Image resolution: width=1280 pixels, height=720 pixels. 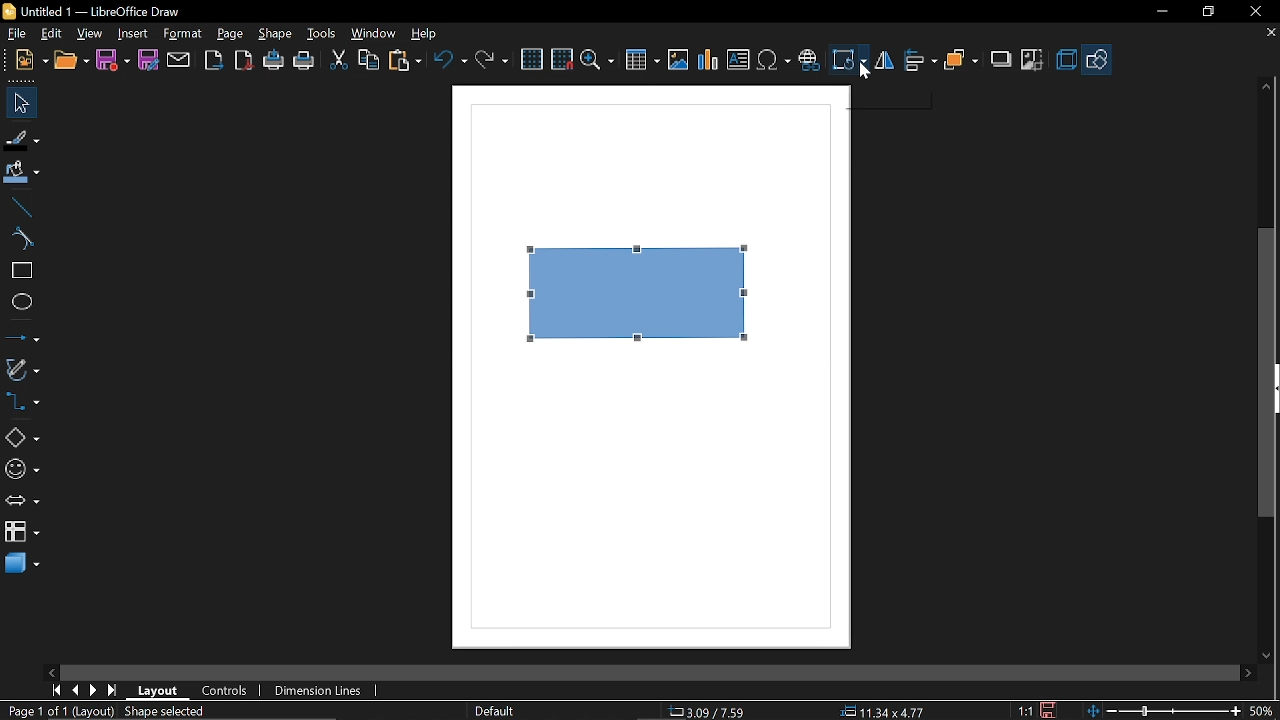 What do you see at coordinates (406, 60) in the screenshot?
I see `paste` at bounding box center [406, 60].